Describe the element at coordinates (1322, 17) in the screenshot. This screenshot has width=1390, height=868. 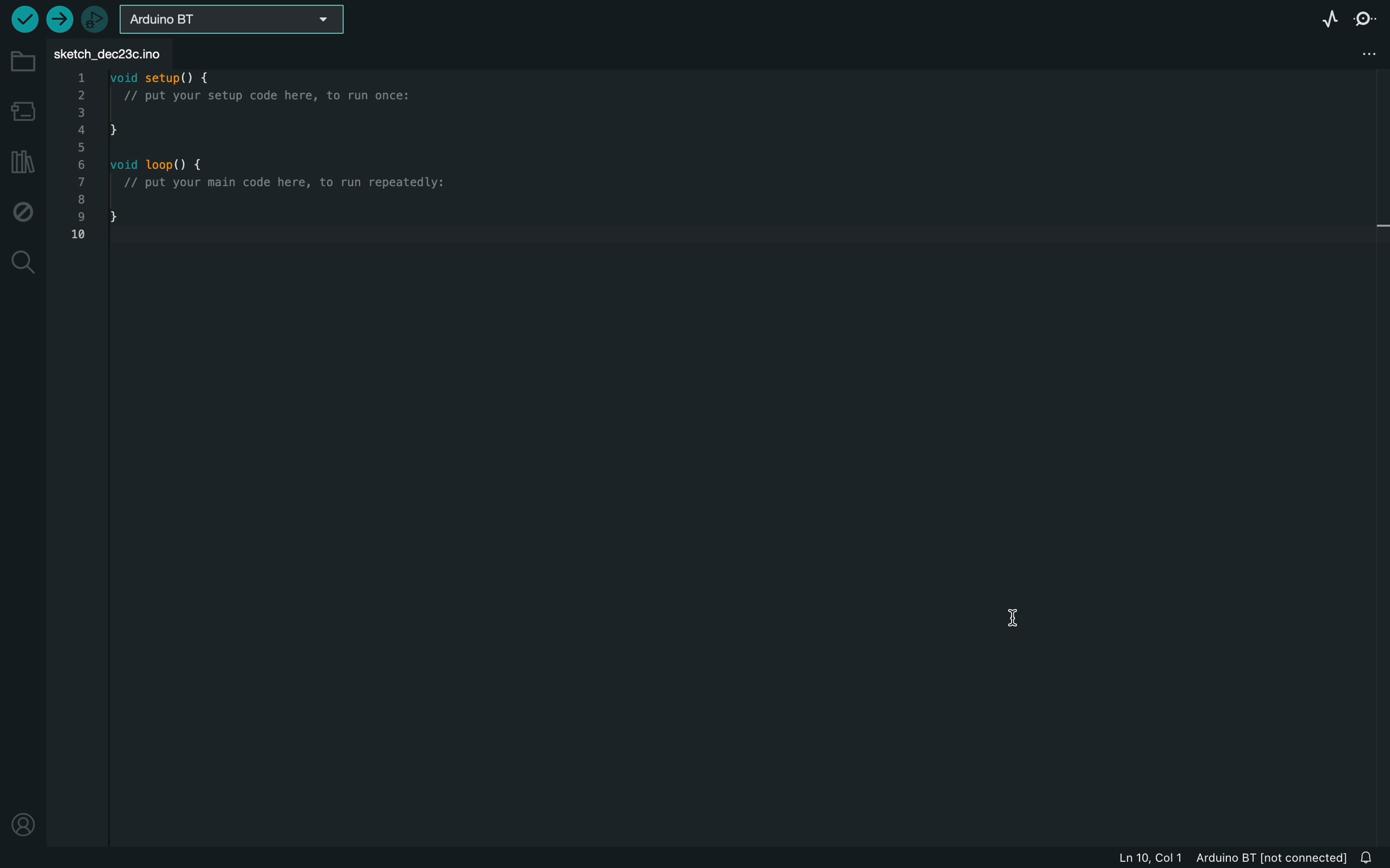
I see `serial plotter` at that location.